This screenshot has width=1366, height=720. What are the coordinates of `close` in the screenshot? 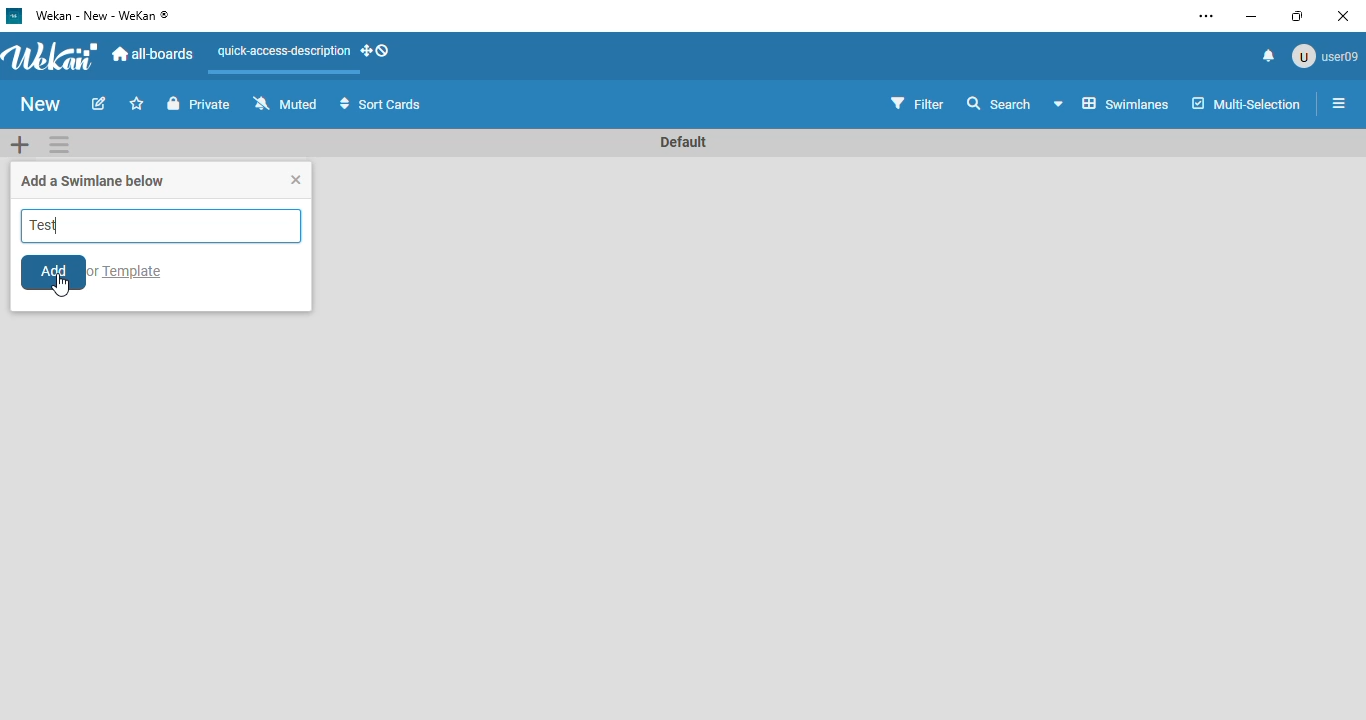 It's located at (296, 180).